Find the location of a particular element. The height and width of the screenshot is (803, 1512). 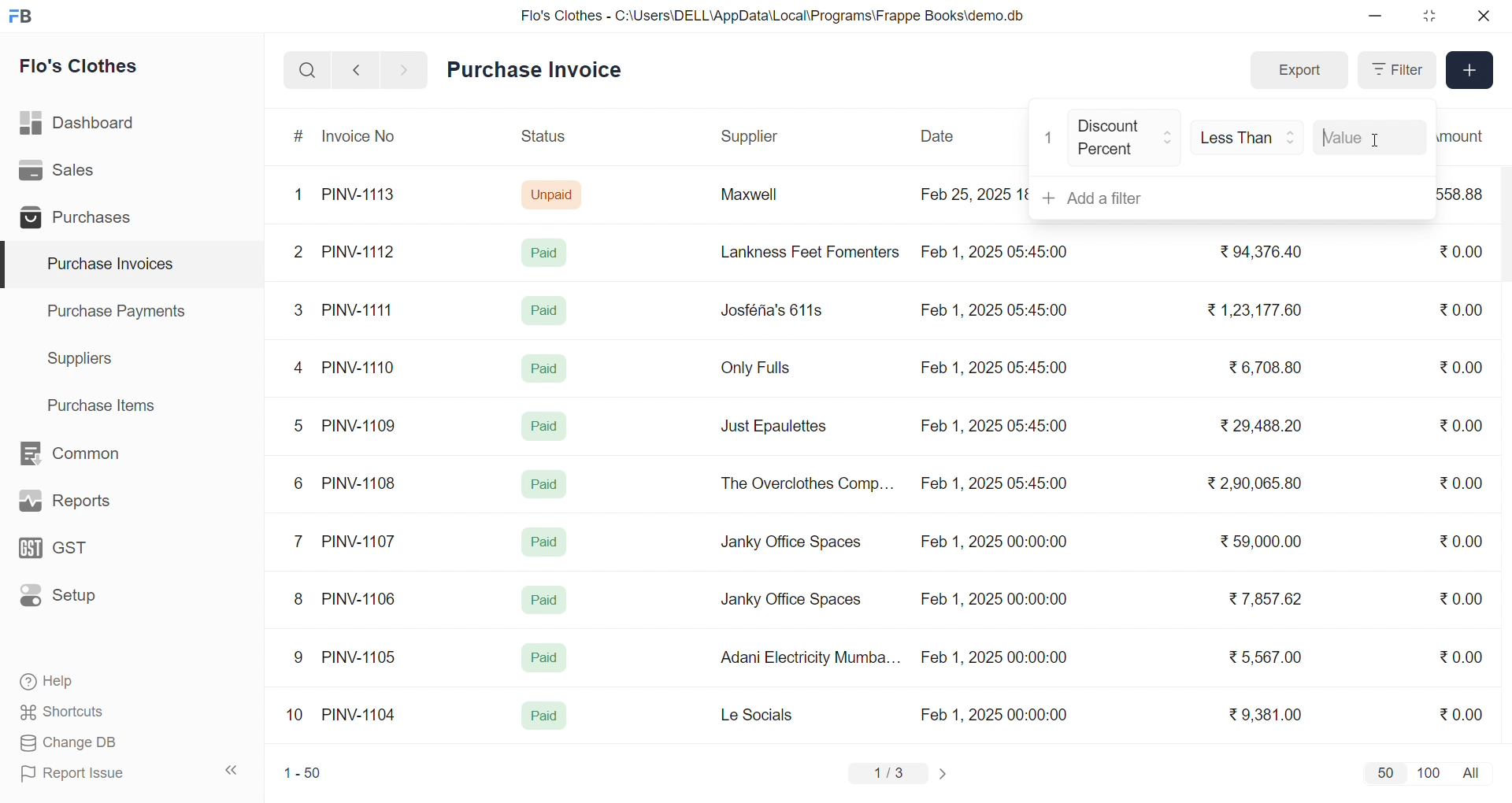

Paid is located at coordinates (545, 310).